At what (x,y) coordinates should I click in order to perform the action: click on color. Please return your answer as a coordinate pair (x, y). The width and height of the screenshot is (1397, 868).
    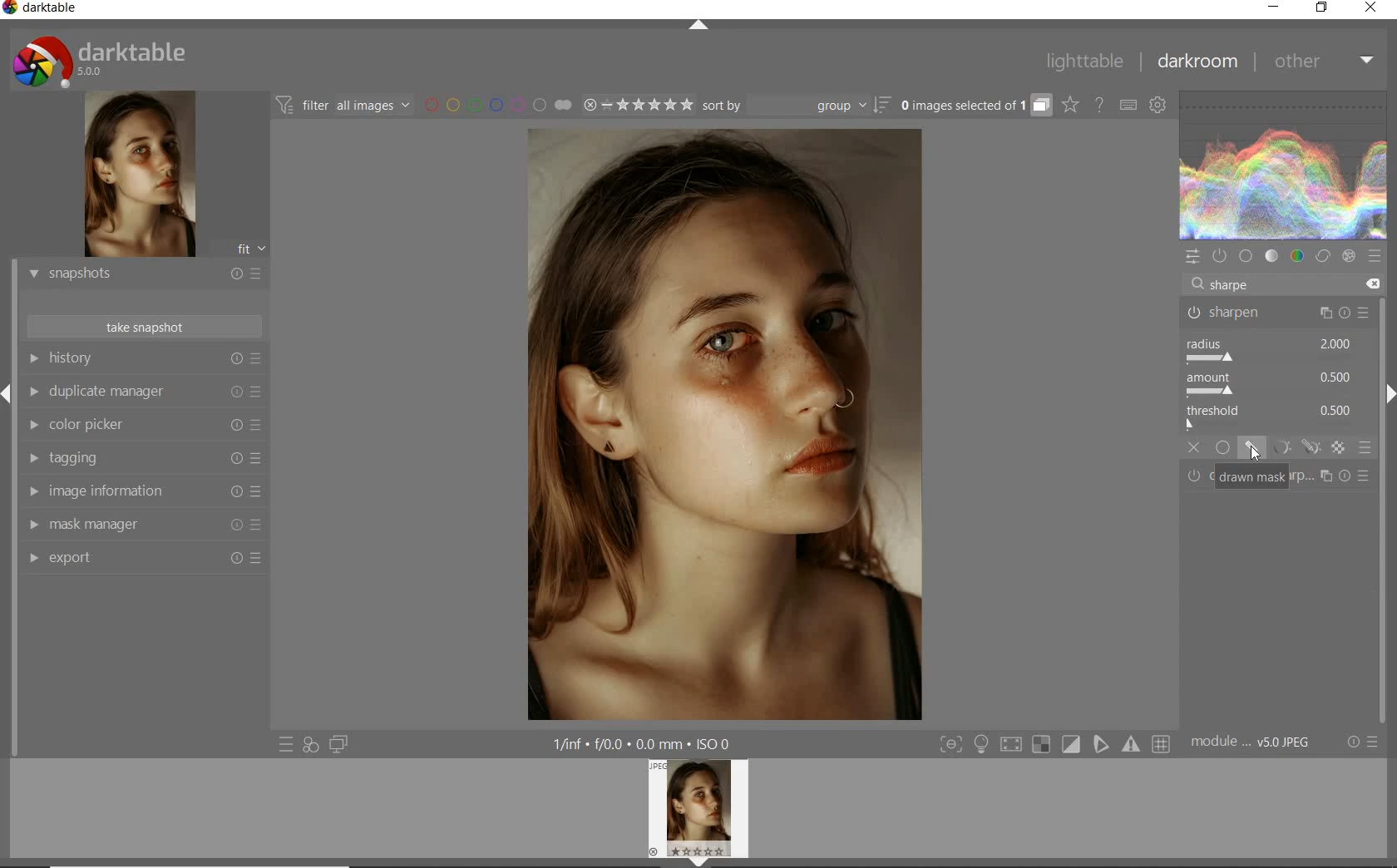
    Looking at the image, I should click on (1298, 258).